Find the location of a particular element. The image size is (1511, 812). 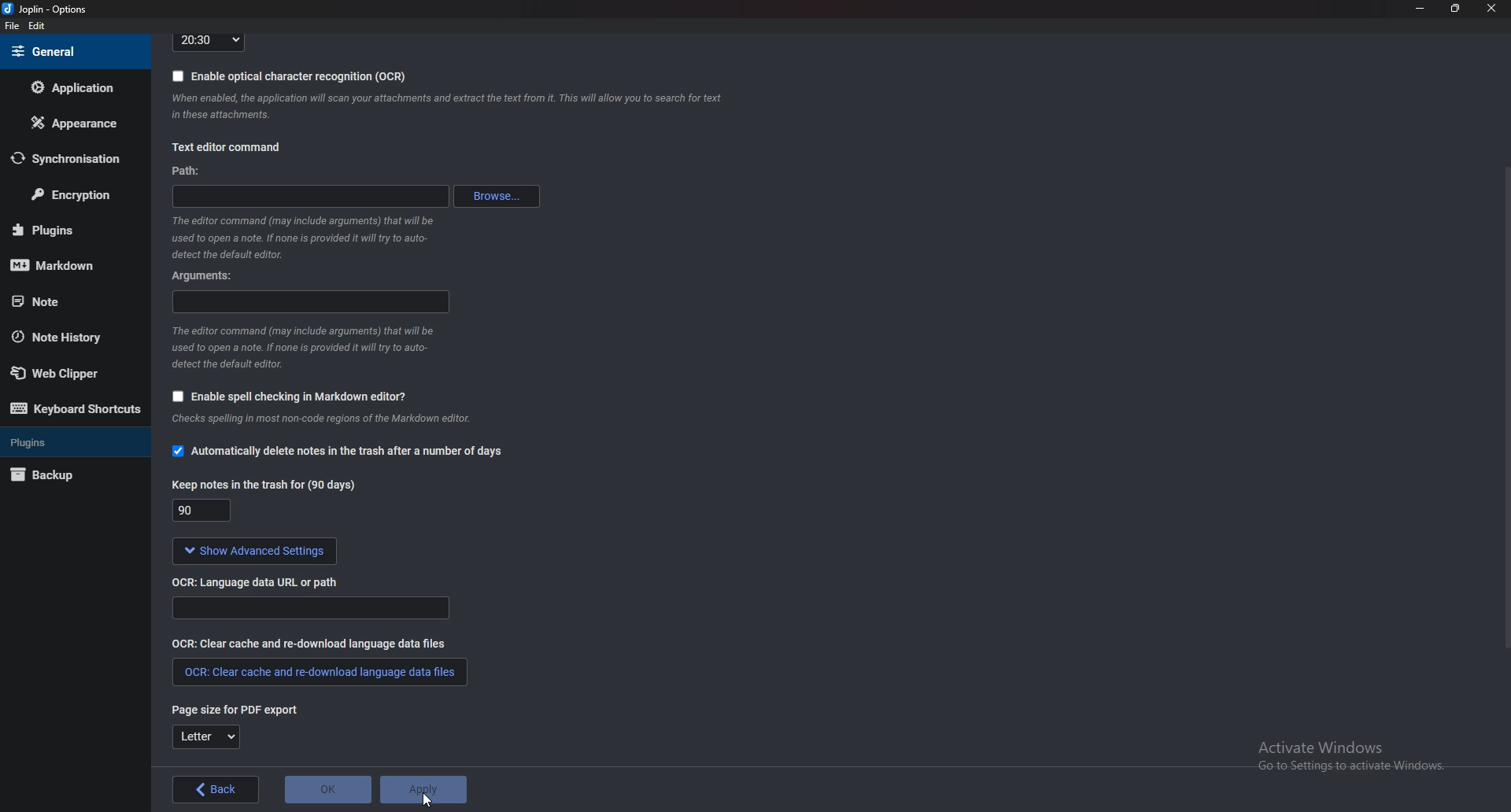

Edit is located at coordinates (36, 27).